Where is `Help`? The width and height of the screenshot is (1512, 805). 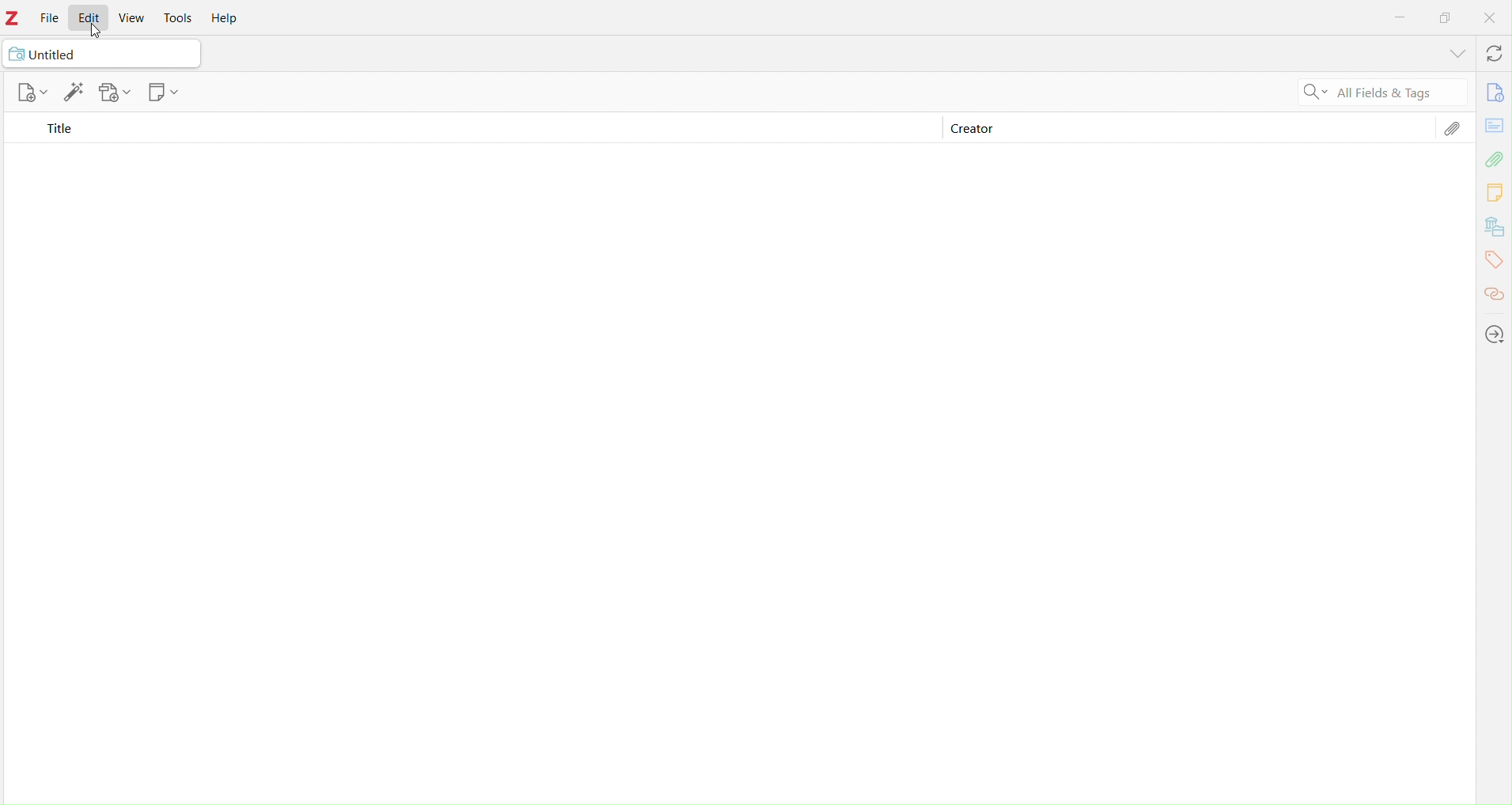
Help is located at coordinates (229, 20).